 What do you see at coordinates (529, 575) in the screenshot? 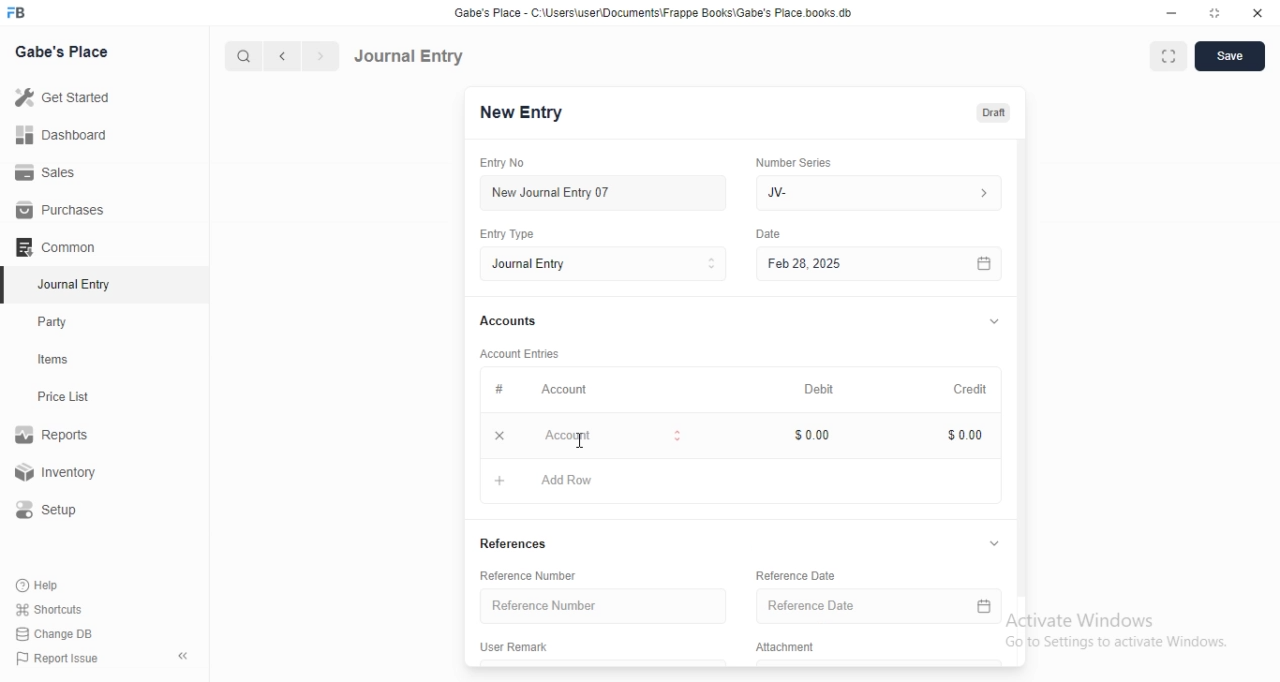
I see `‘Reference Number` at bounding box center [529, 575].